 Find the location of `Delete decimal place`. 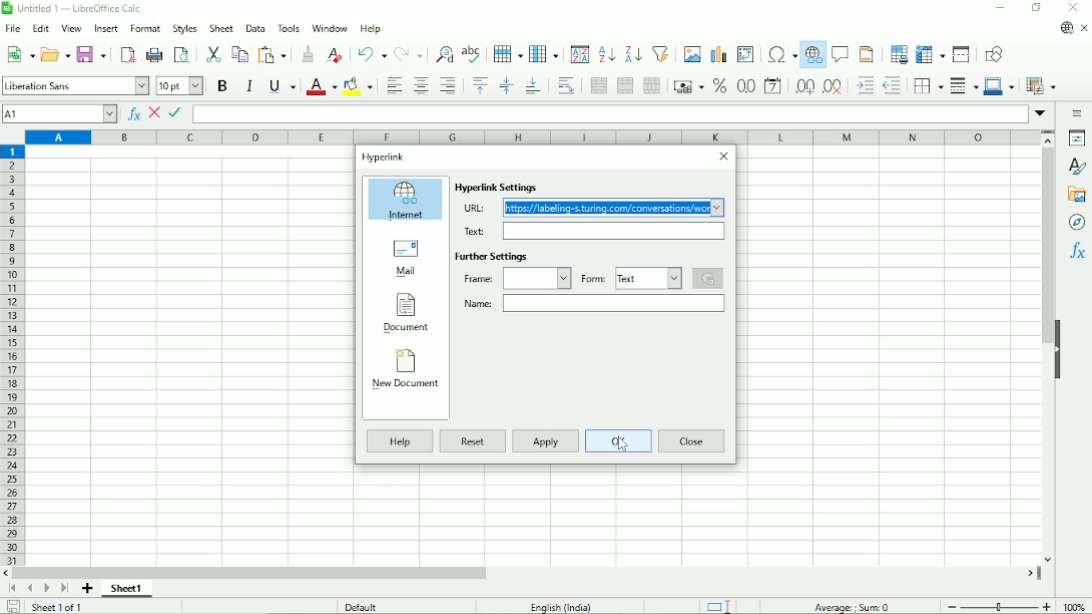

Delete decimal place is located at coordinates (834, 87).